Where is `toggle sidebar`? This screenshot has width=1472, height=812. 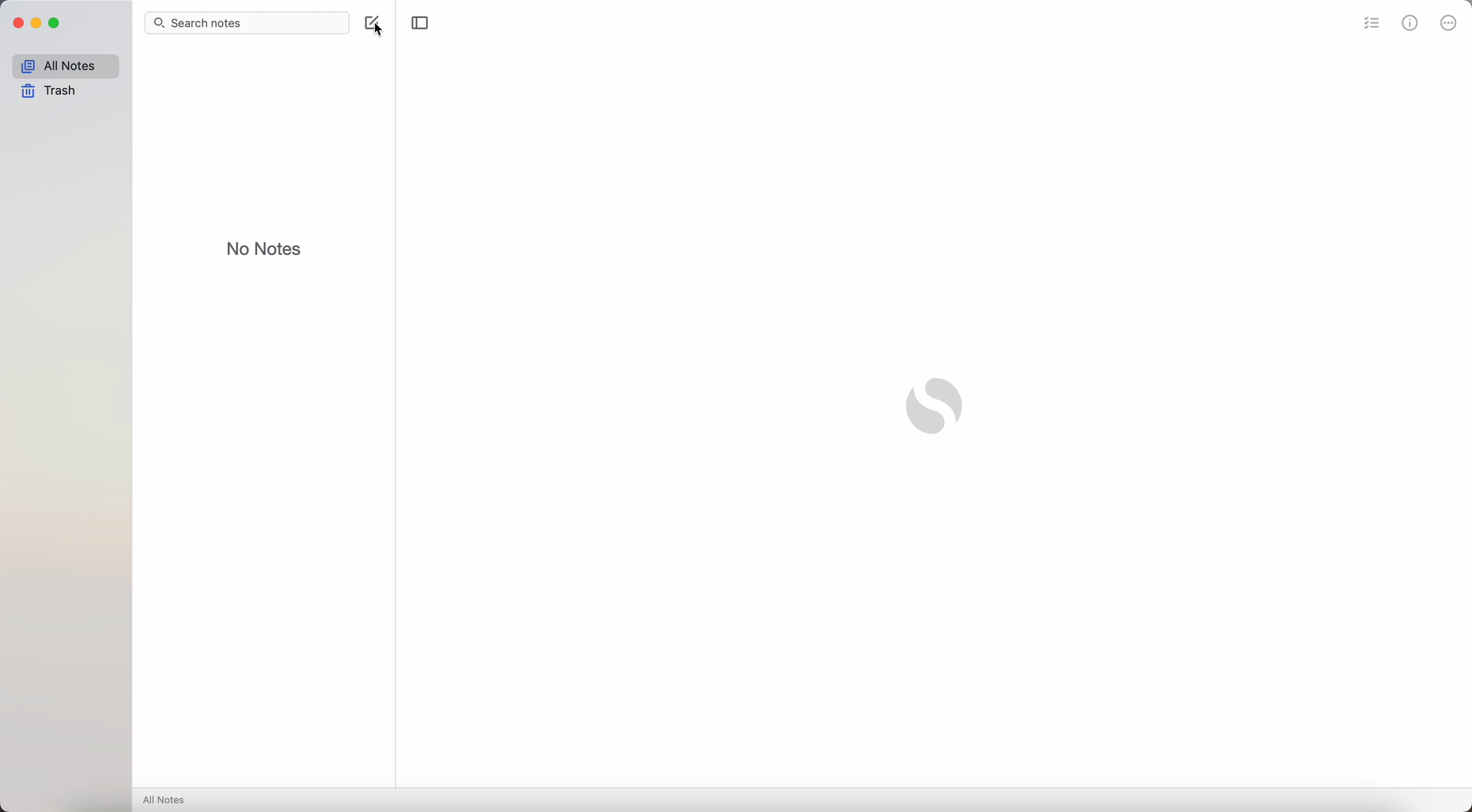 toggle sidebar is located at coordinates (419, 23).